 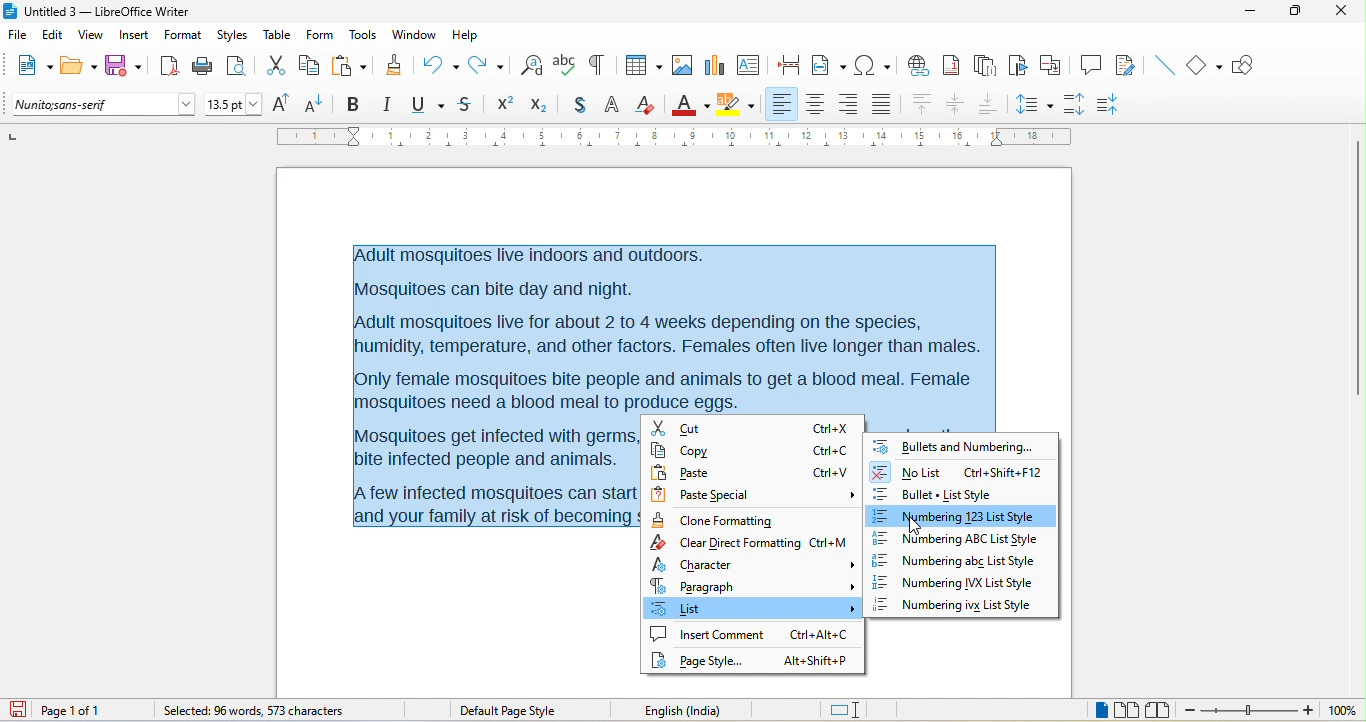 I want to click on end note, so click(x=984, y=65).